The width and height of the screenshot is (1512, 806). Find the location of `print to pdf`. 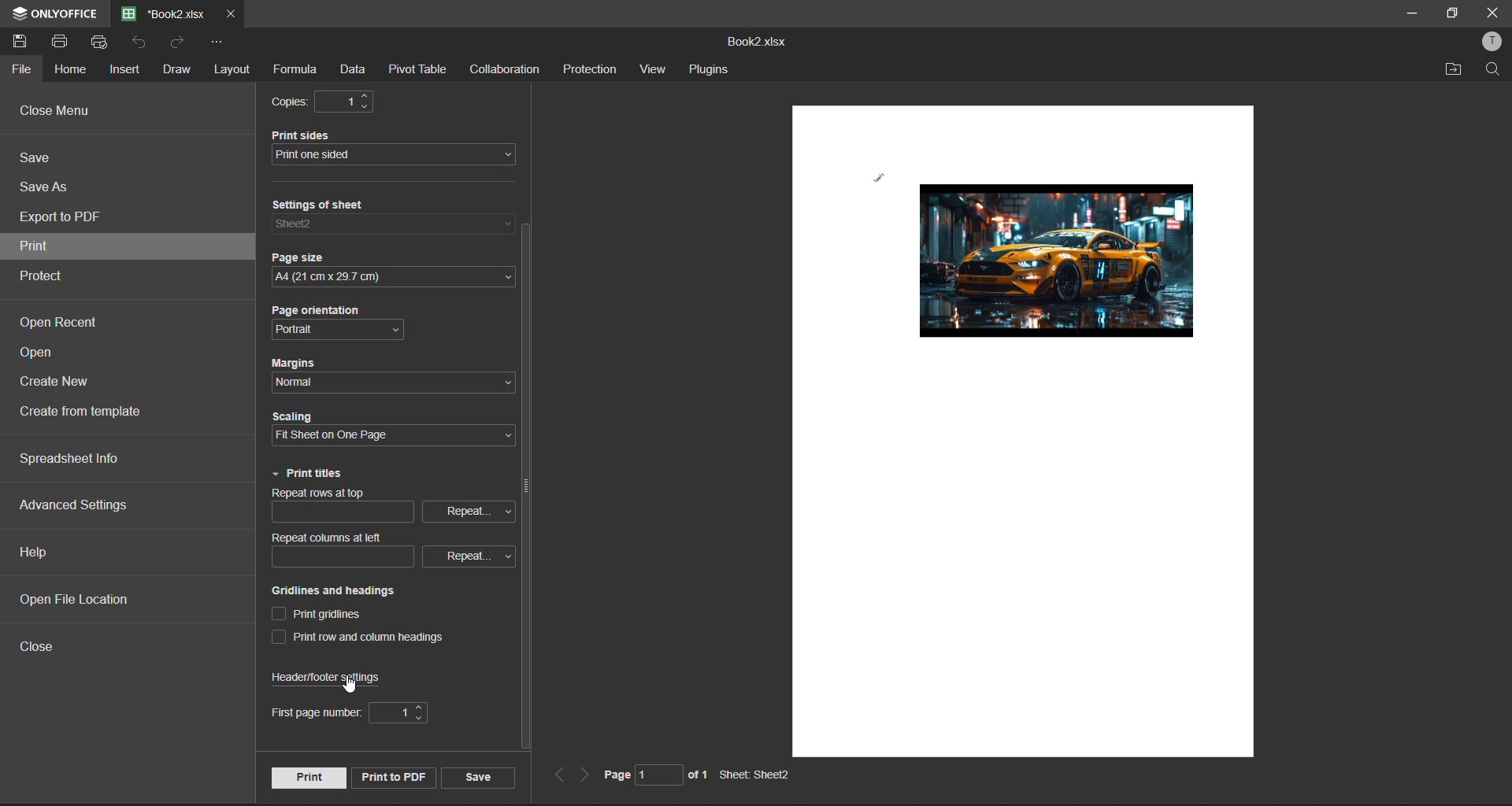

print to pdf is located at coordinates (391, 777).